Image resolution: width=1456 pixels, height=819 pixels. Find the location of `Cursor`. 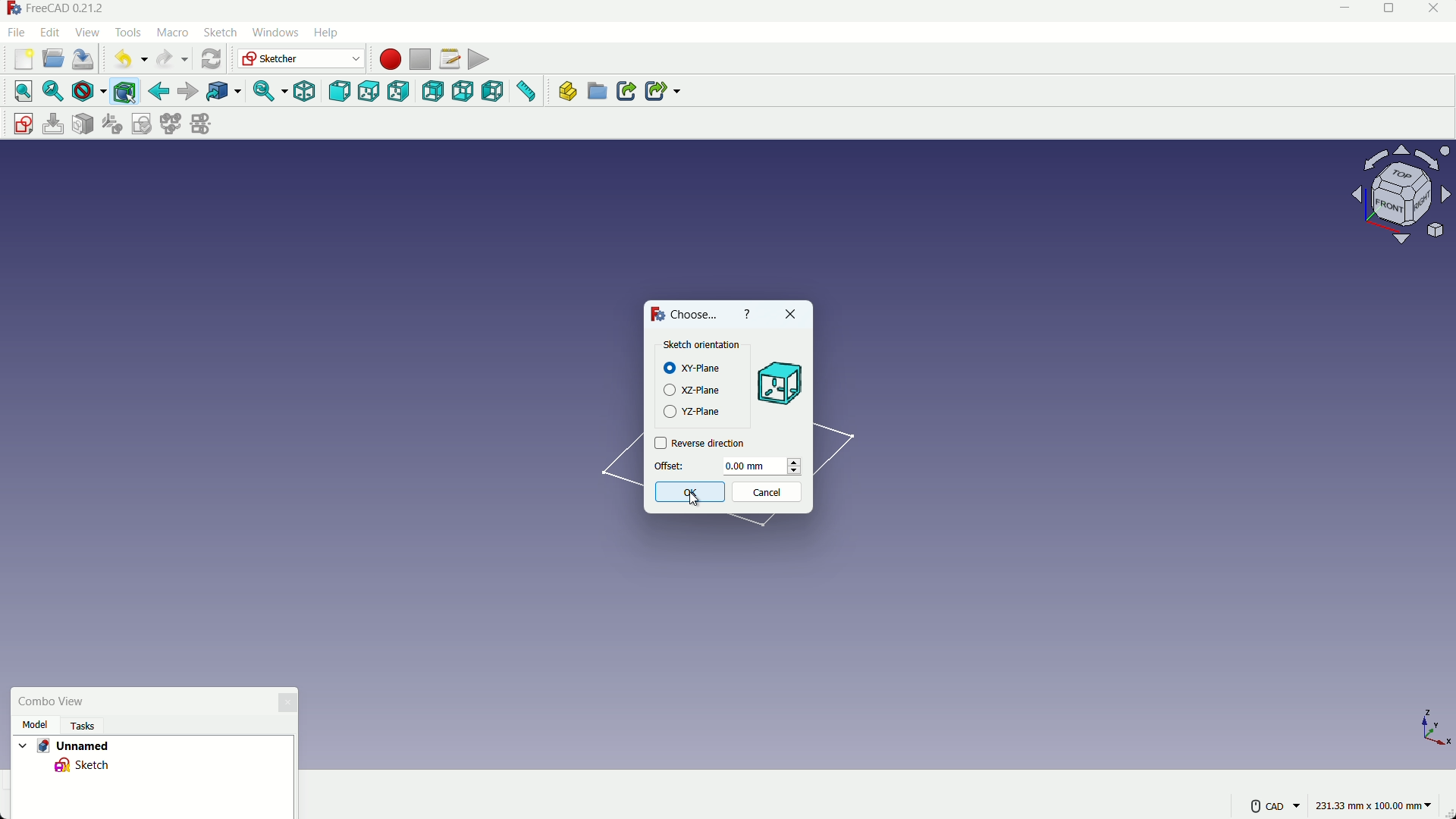

Cursor is located at coordinates (693, 500).